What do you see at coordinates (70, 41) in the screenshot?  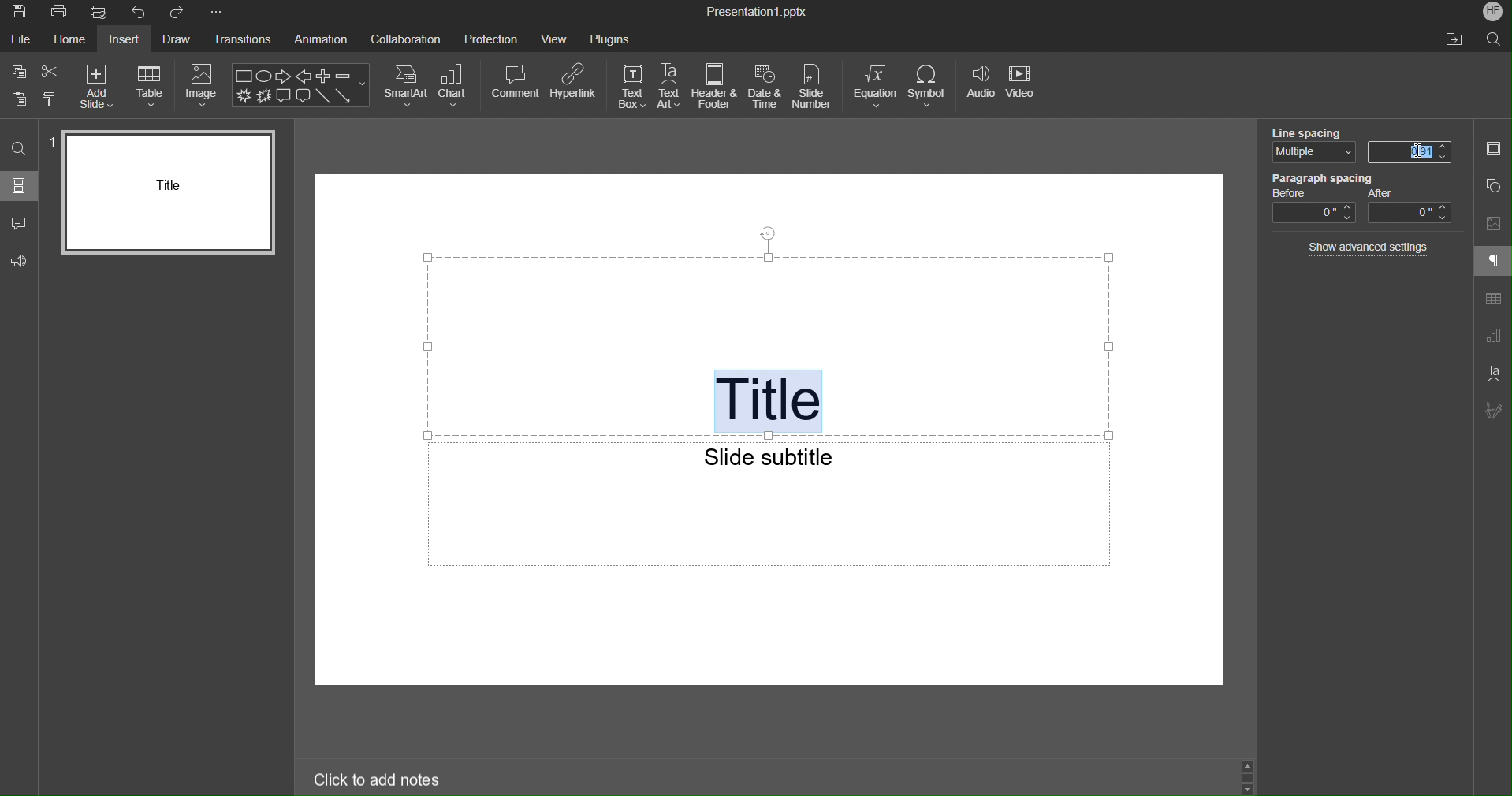 I see `Home` at bounding box center [70, 41].